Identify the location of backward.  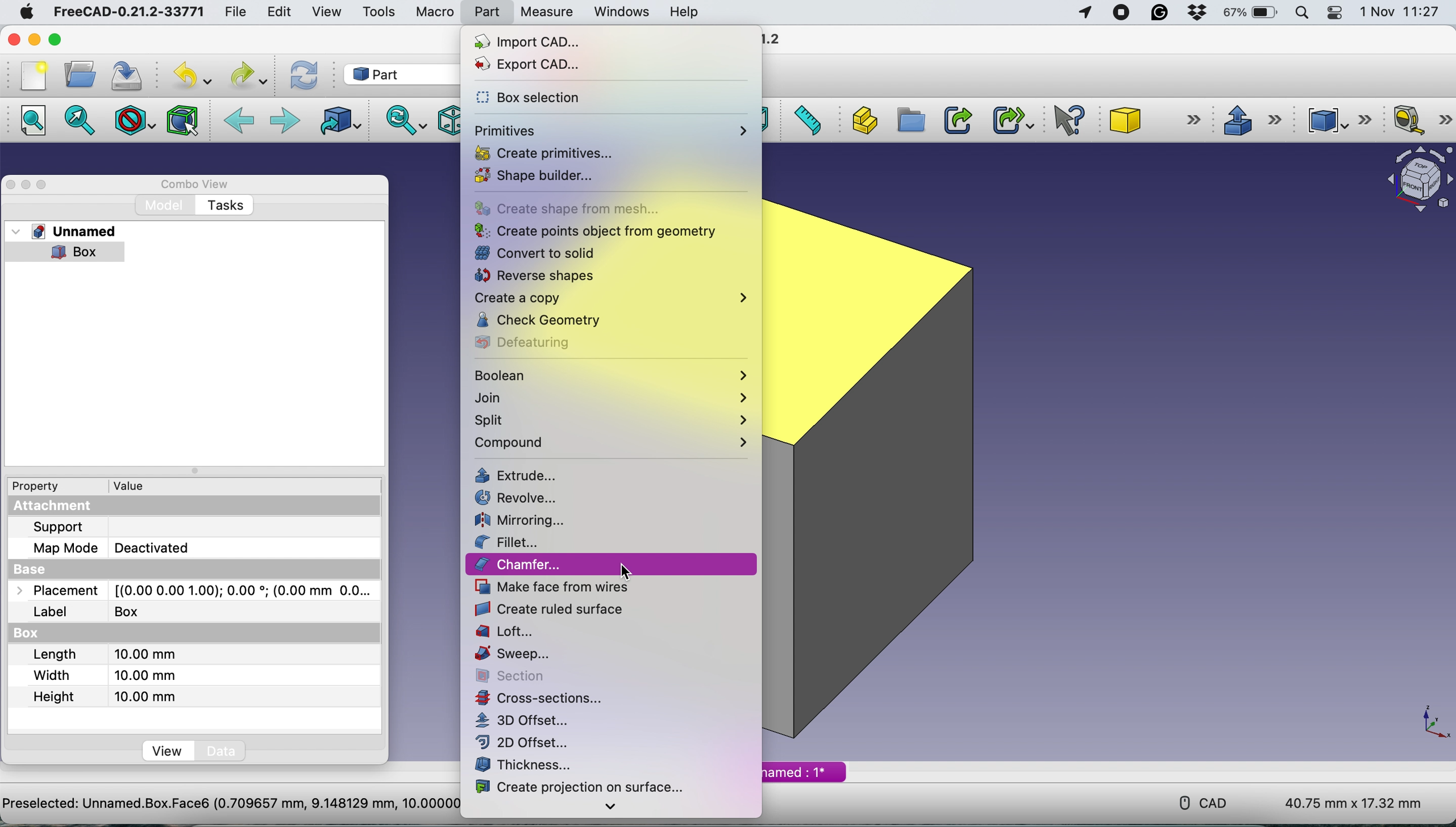
(240, 119).